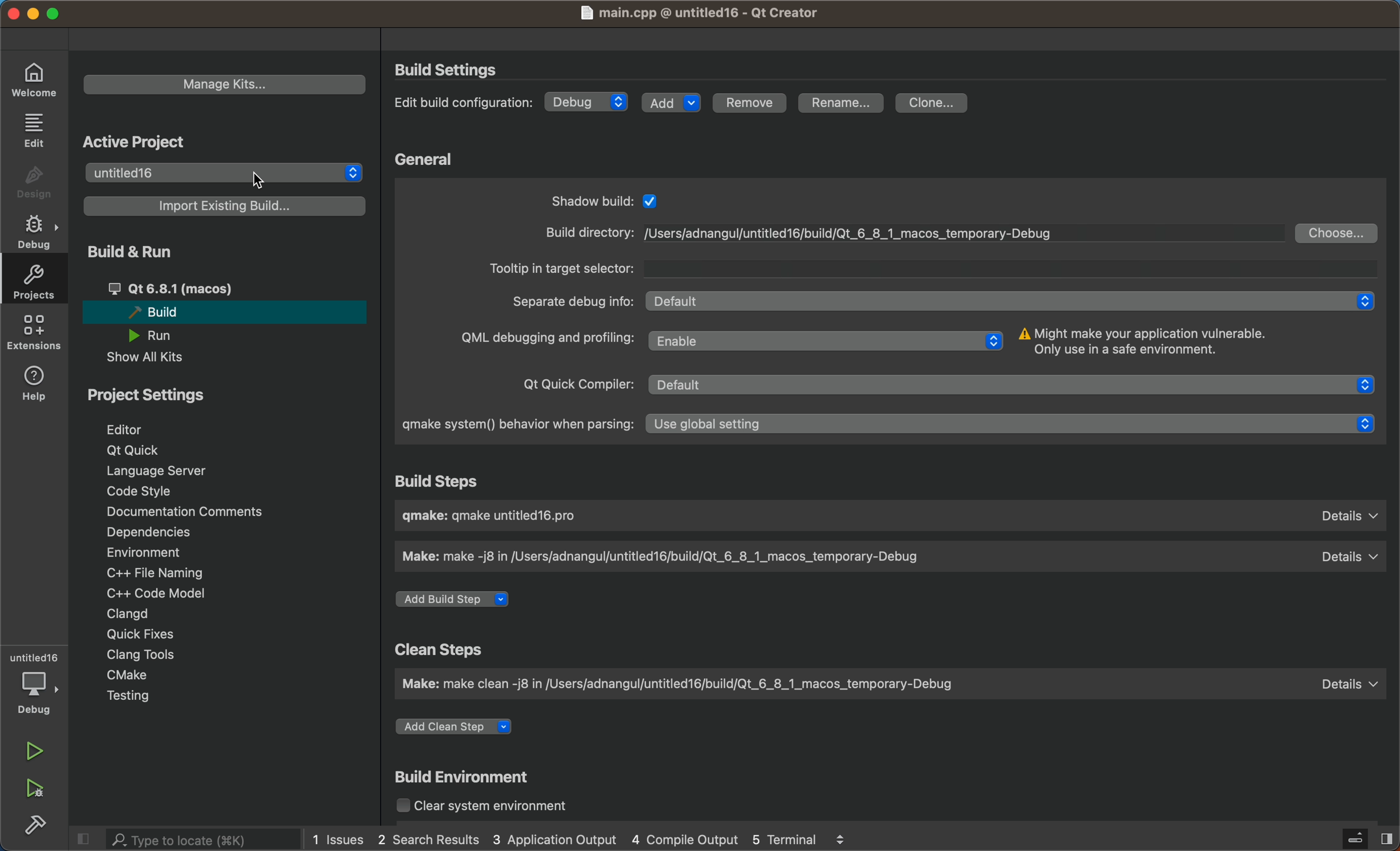 The height and width of the screenshot is (851, 1400). I want to click on build step, so click(456, 598).